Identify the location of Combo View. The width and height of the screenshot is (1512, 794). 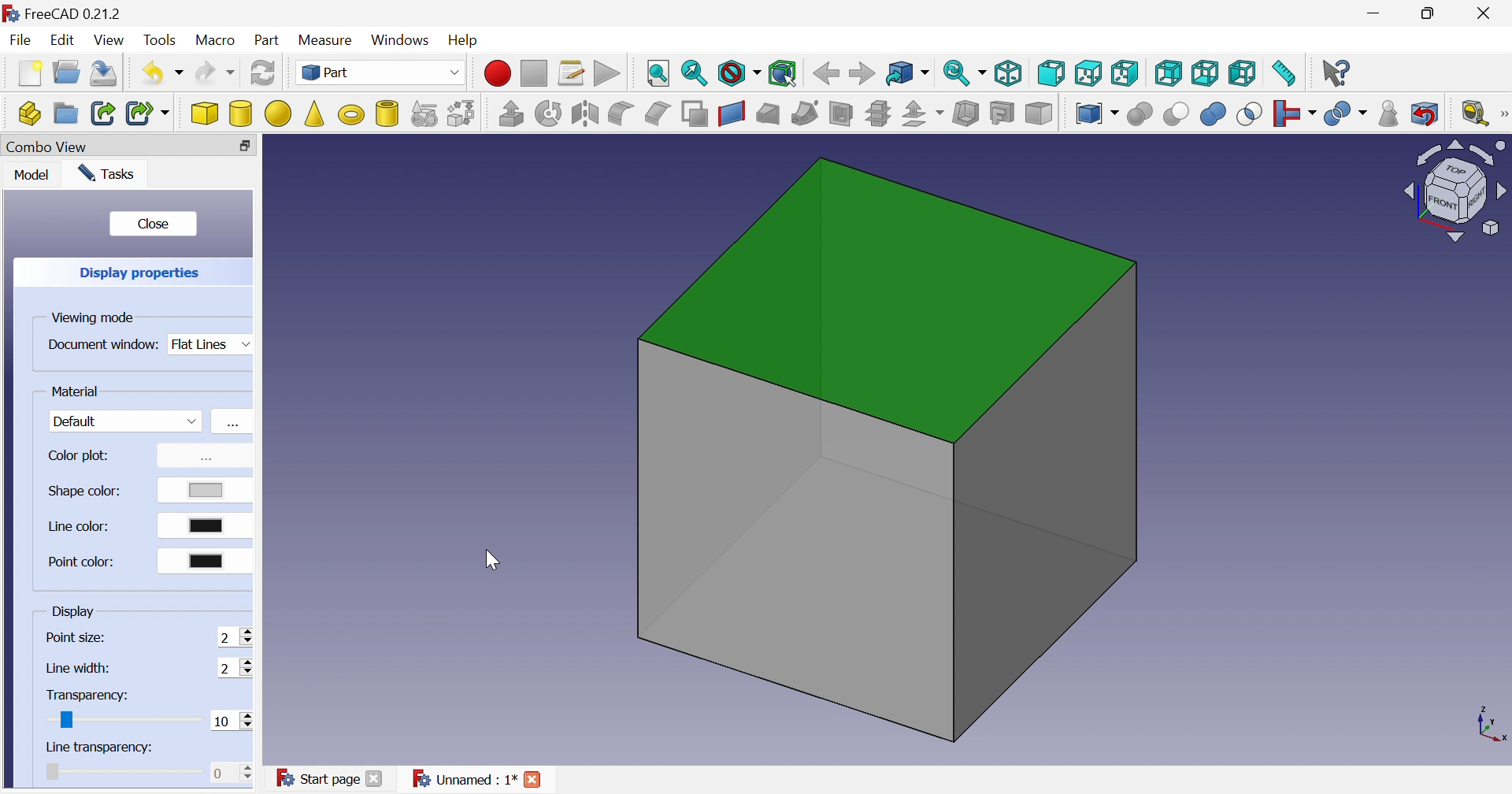
(47, 147).